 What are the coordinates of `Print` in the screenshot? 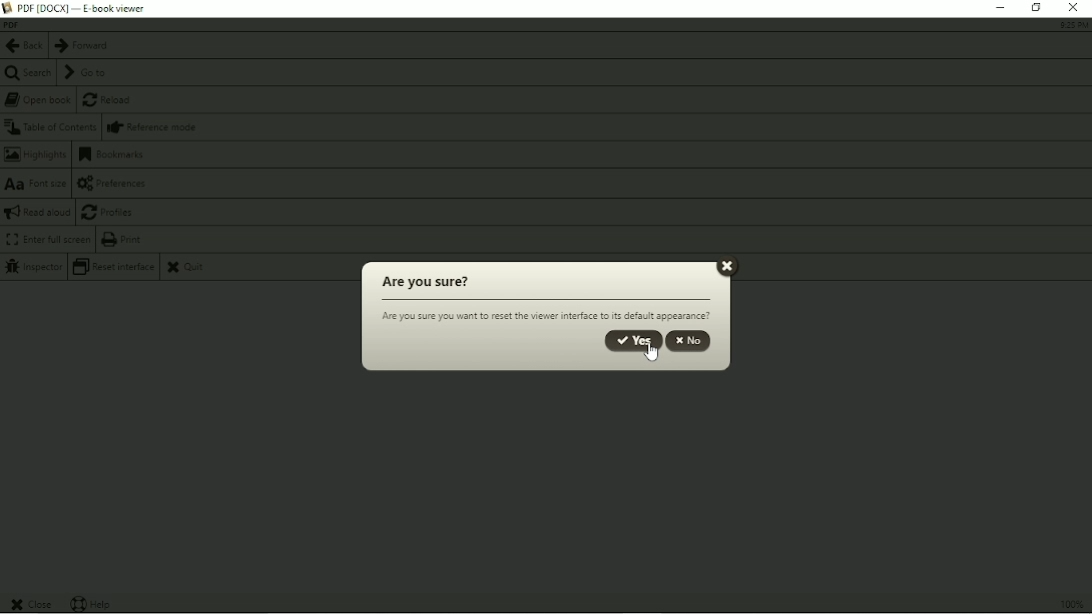 It's located at (124, 239).